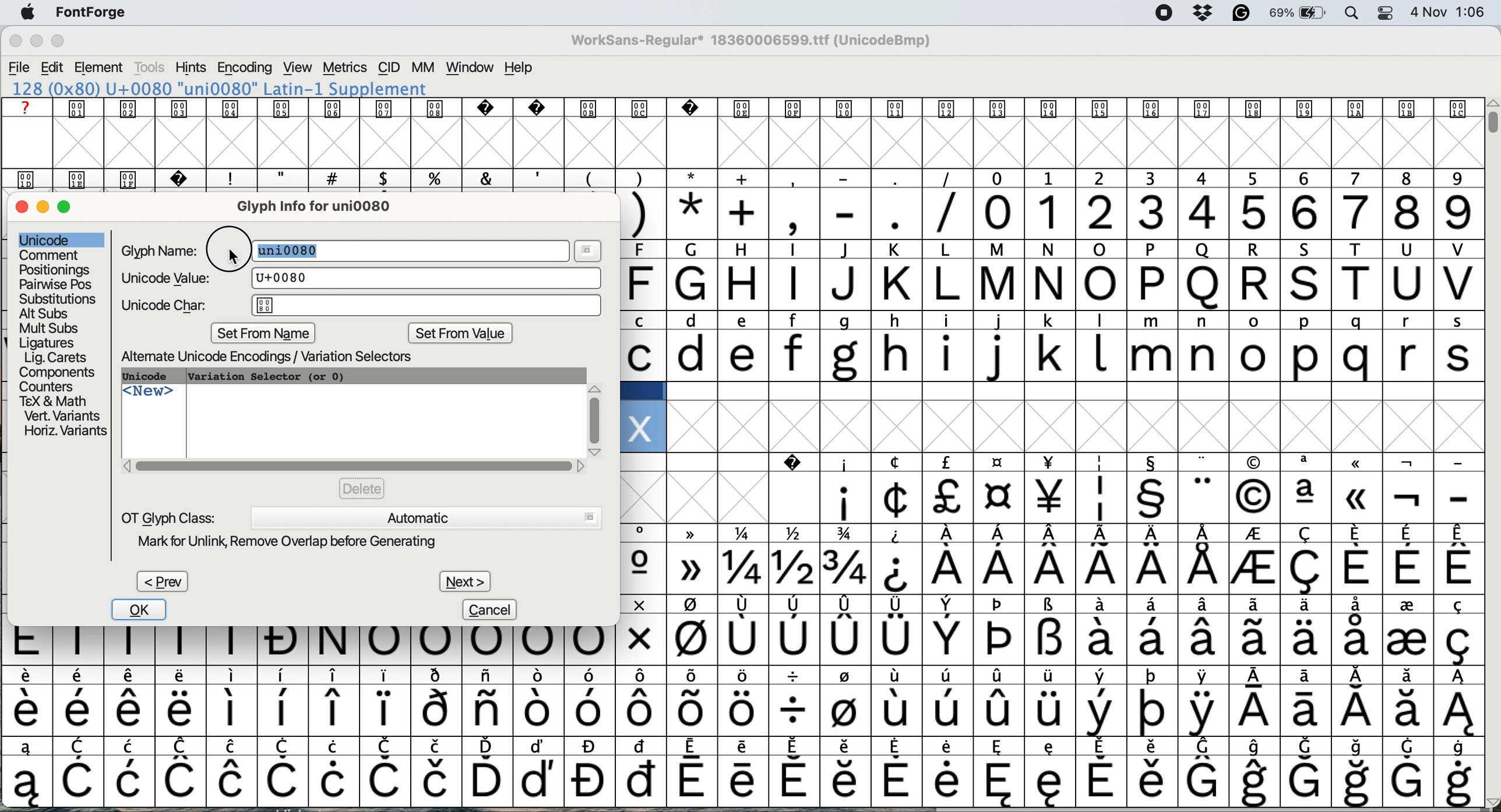  I want to click on prev, so click(161, 581).